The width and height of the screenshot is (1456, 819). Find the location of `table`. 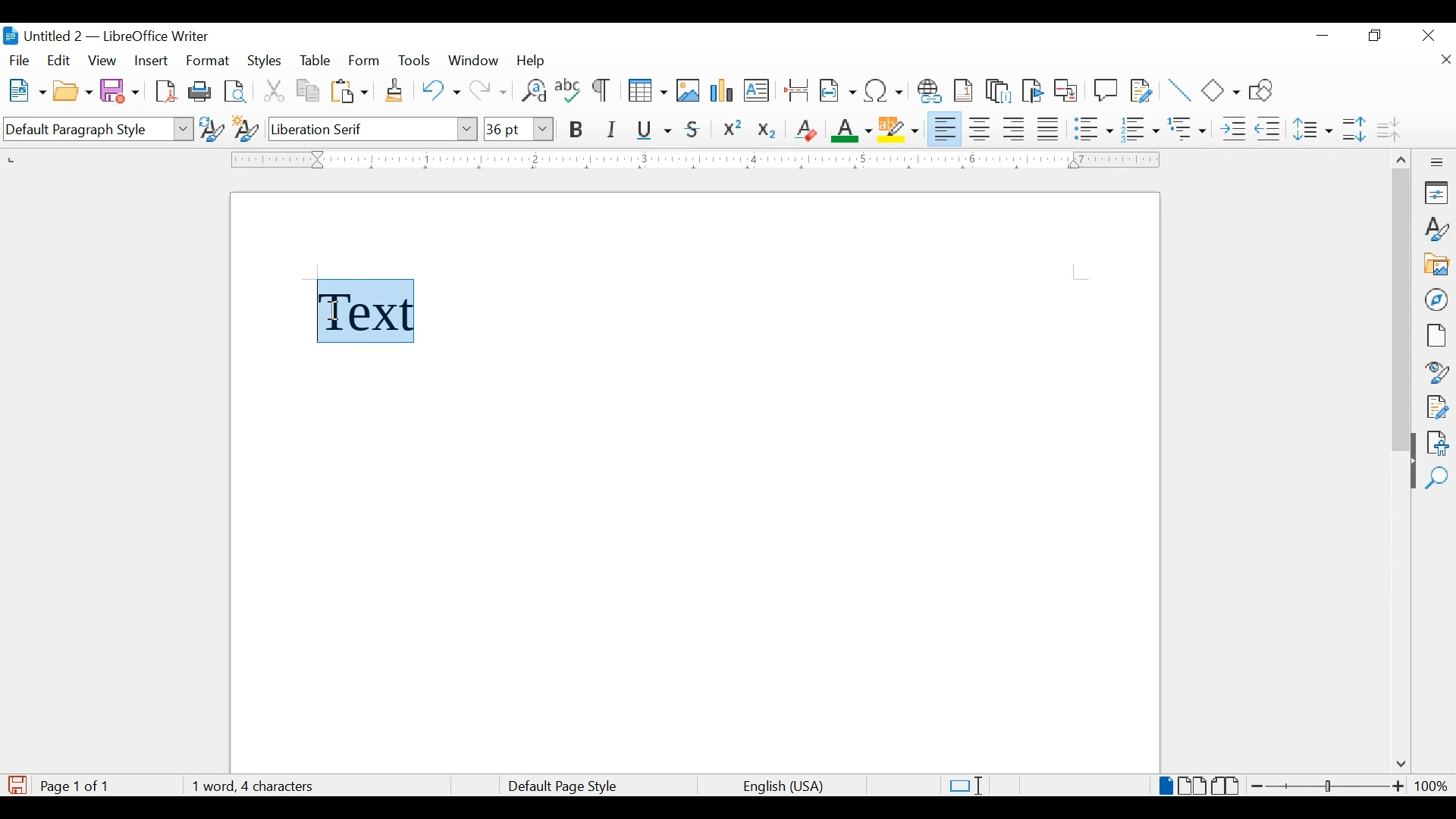

table is located at coordinates (315, 61).